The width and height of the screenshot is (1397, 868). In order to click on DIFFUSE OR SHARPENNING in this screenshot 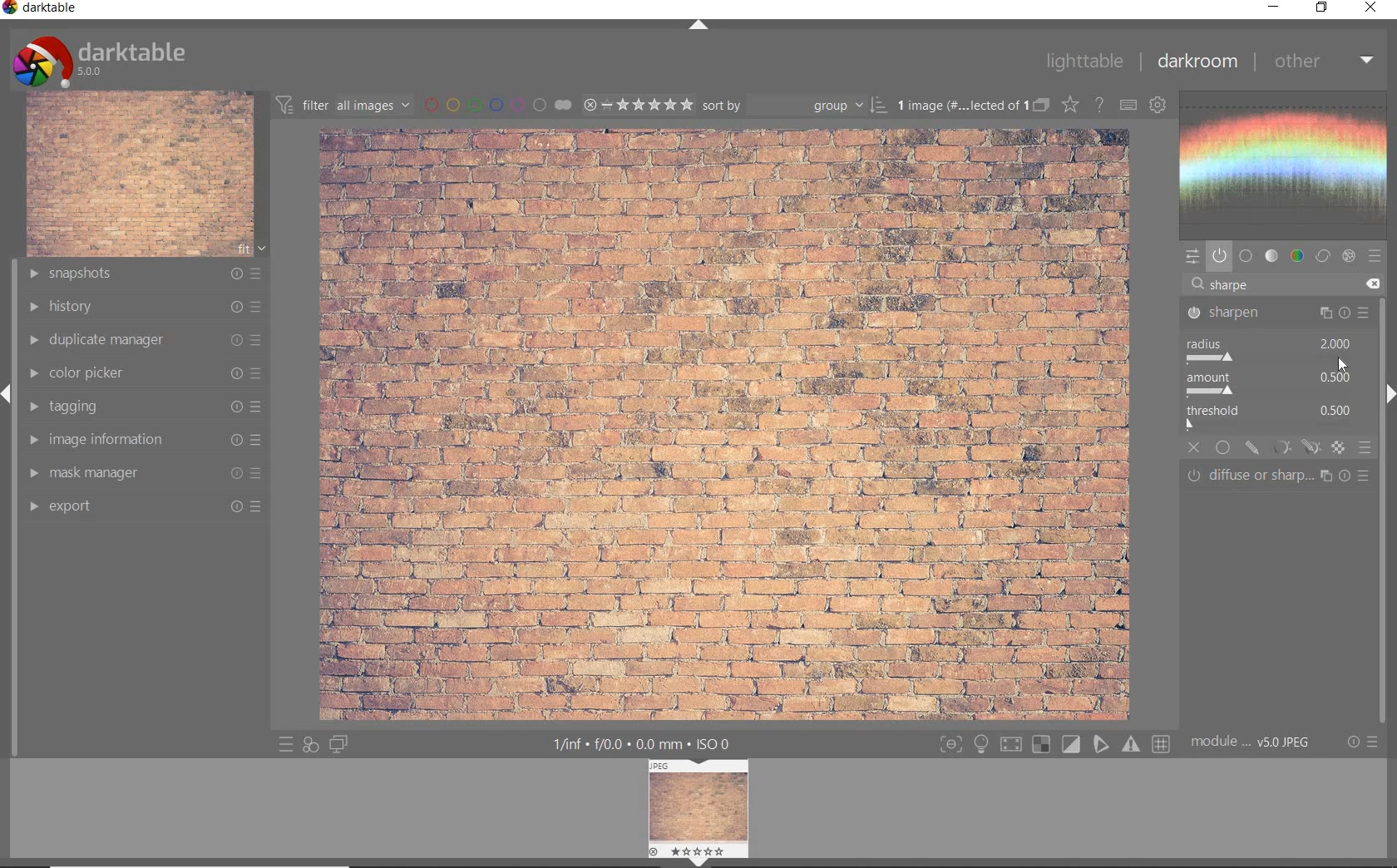, I will do `click(1281, 476)`.